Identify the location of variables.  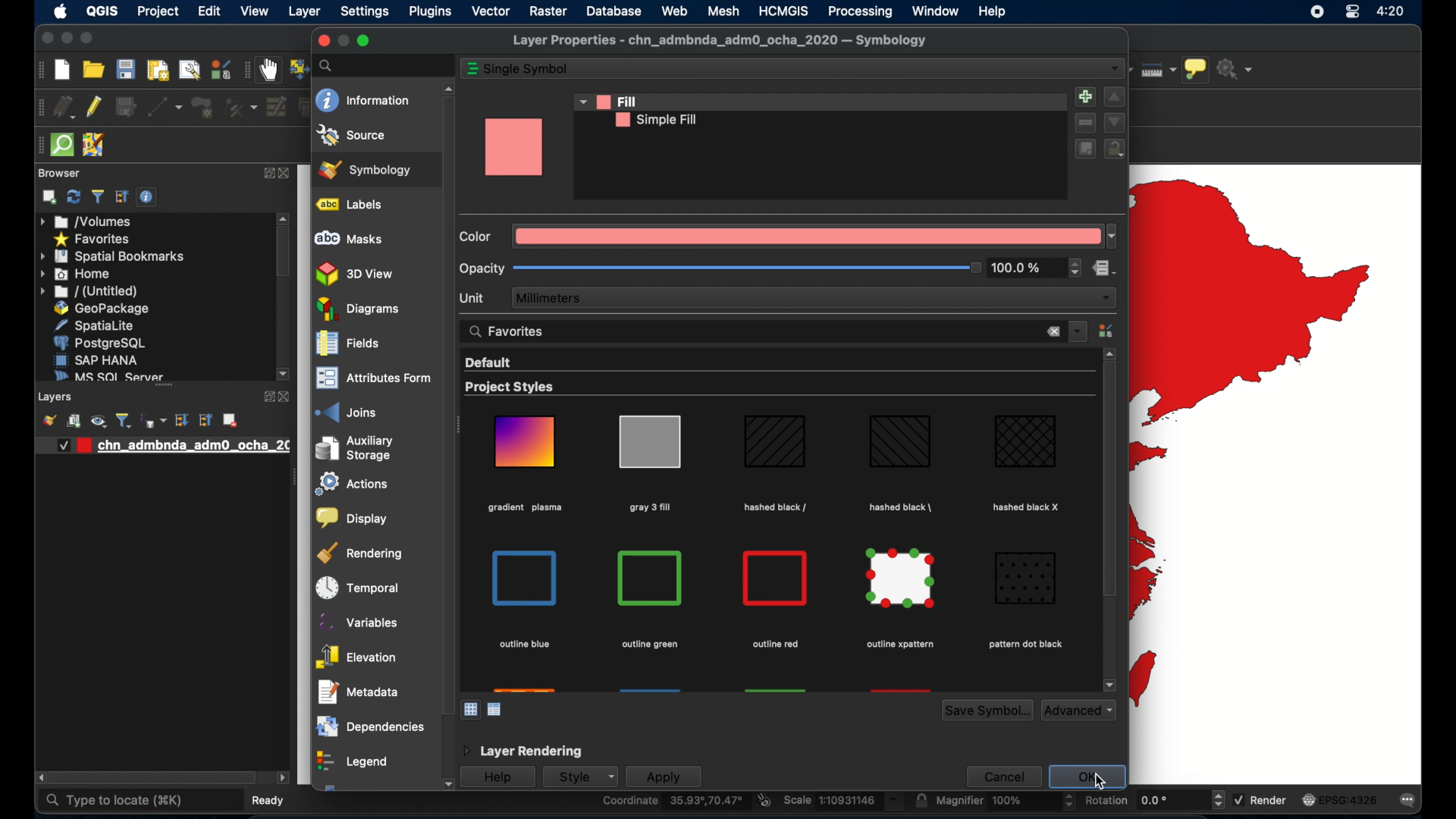
(360, 622).